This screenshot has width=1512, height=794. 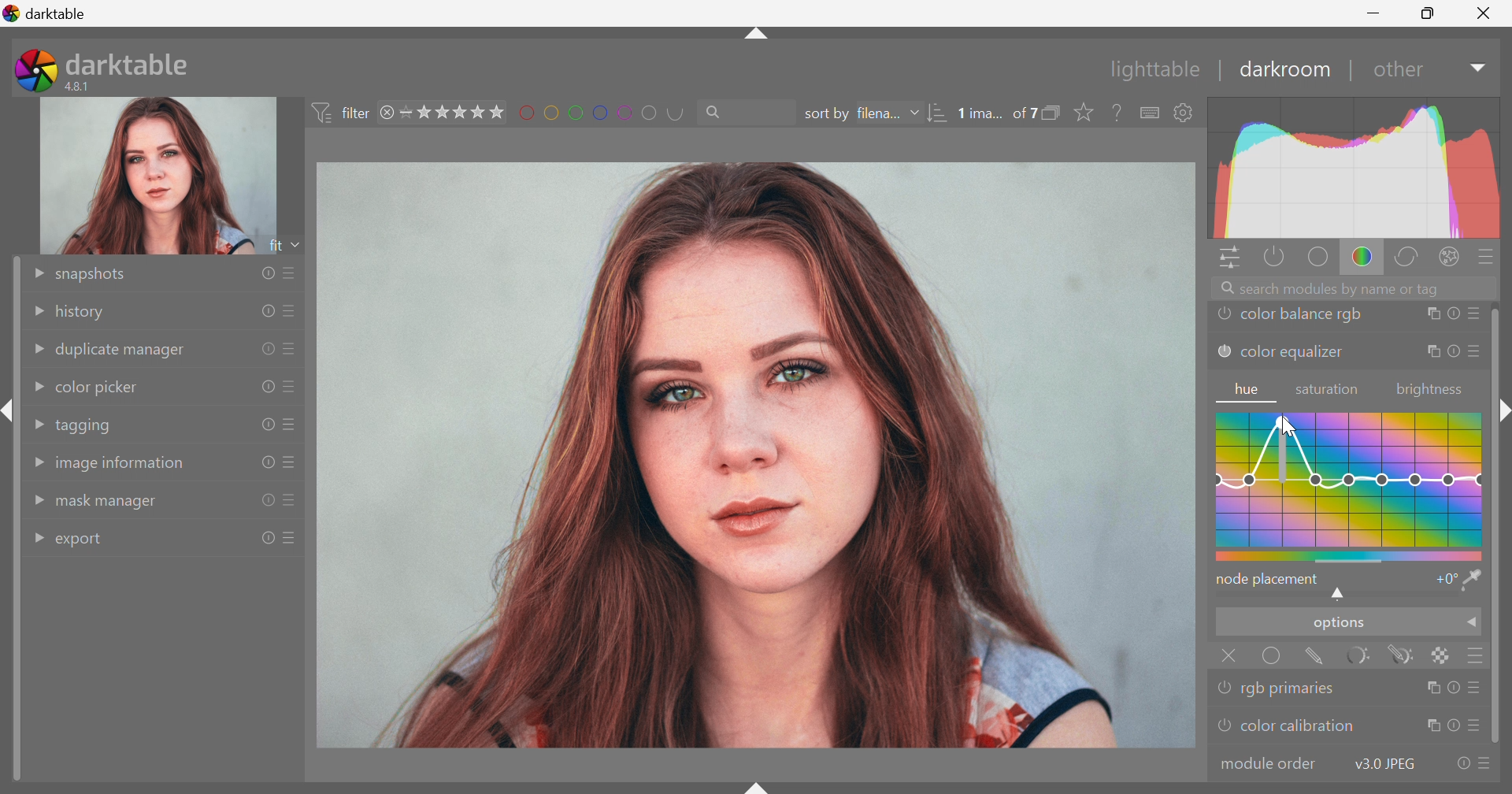 What do you see at coordinates (1478, 688) in the screenshot?
I see `presets` at bounding box center [1478, 688].